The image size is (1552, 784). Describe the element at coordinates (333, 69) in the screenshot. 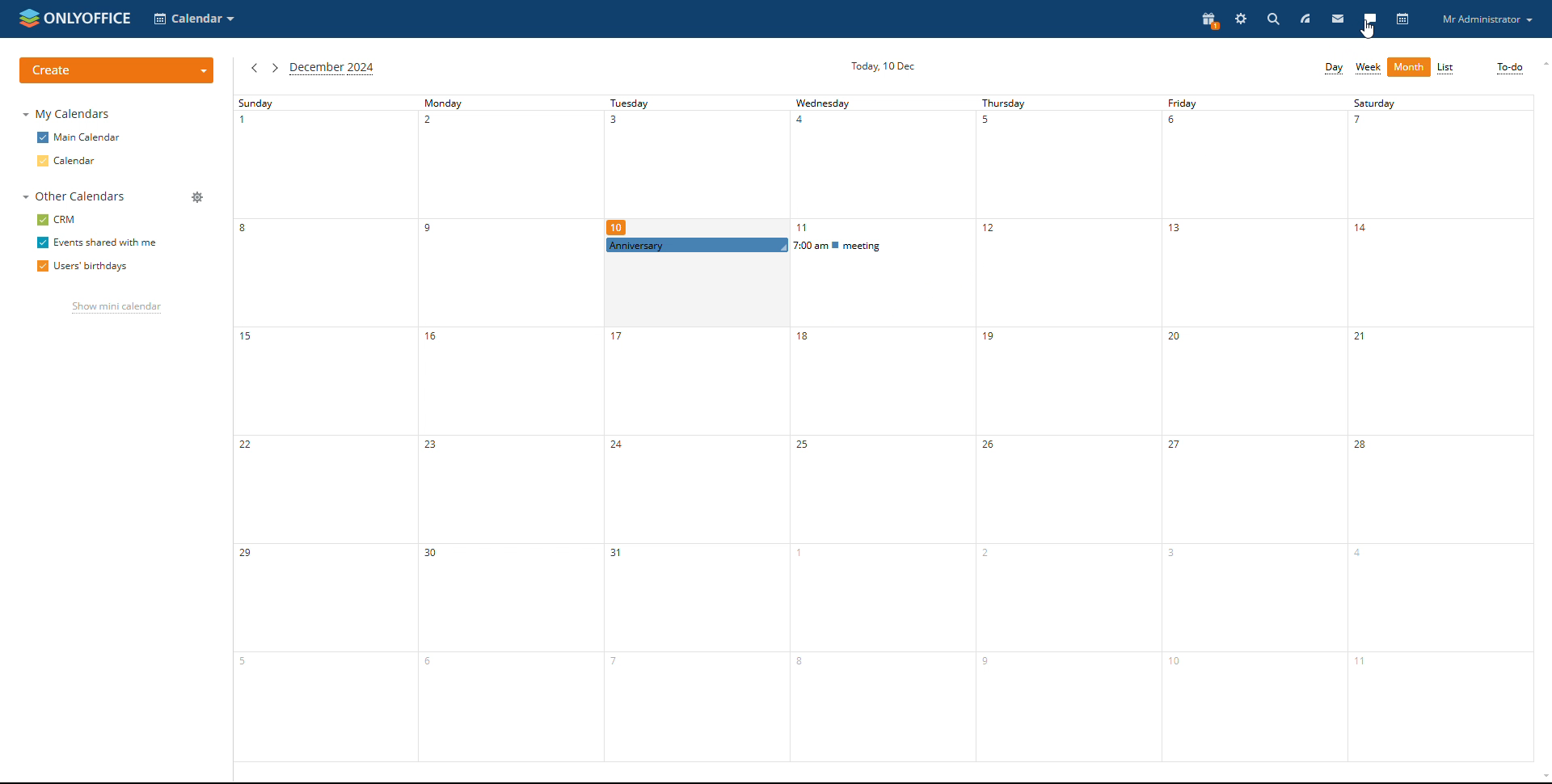

I see `current month` at that location.